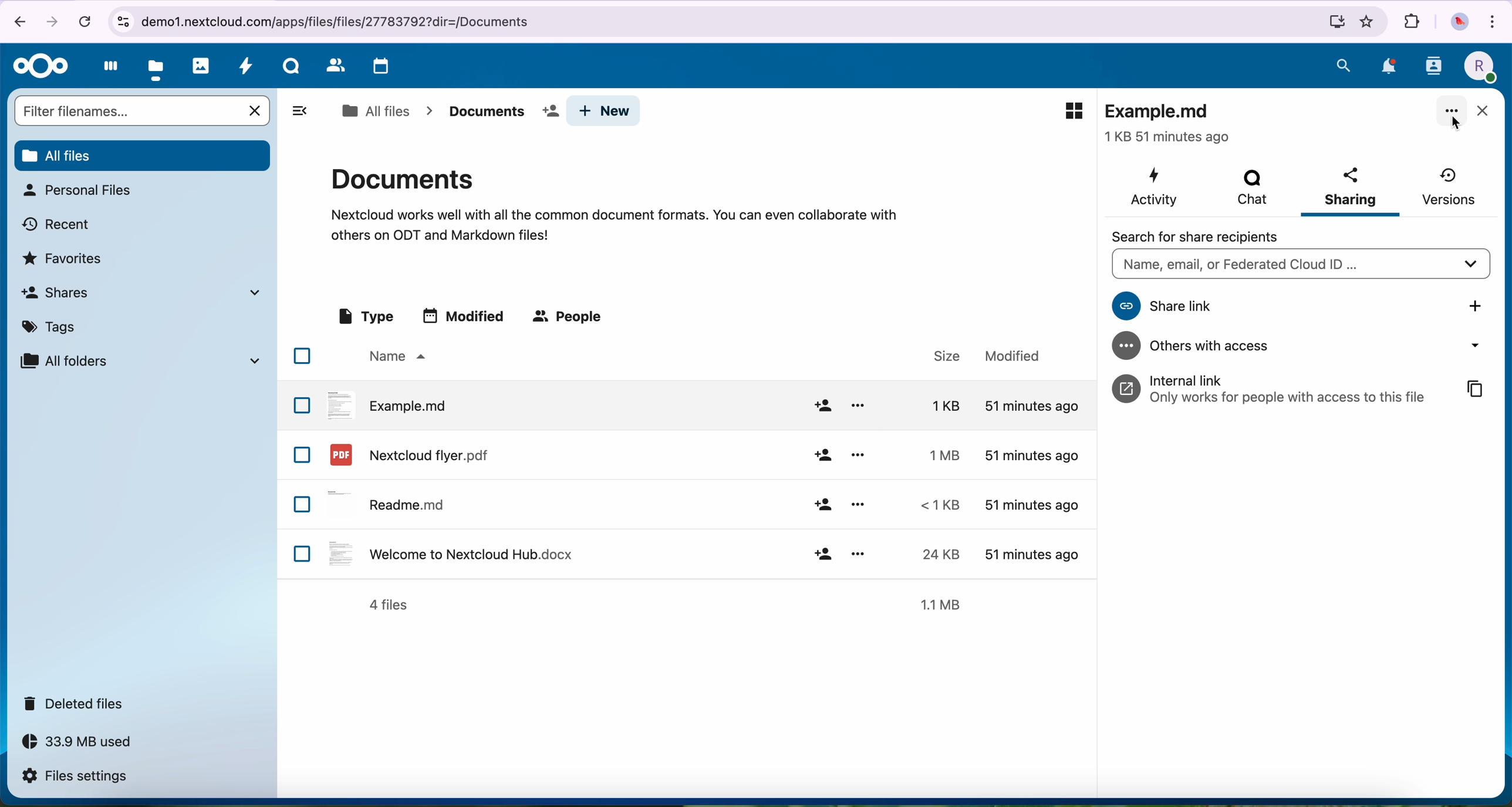 This screenshot has height=807, width=1512. Describe the element at coordinates (1473, 387) in the screenshot. I see `copy` at that location.